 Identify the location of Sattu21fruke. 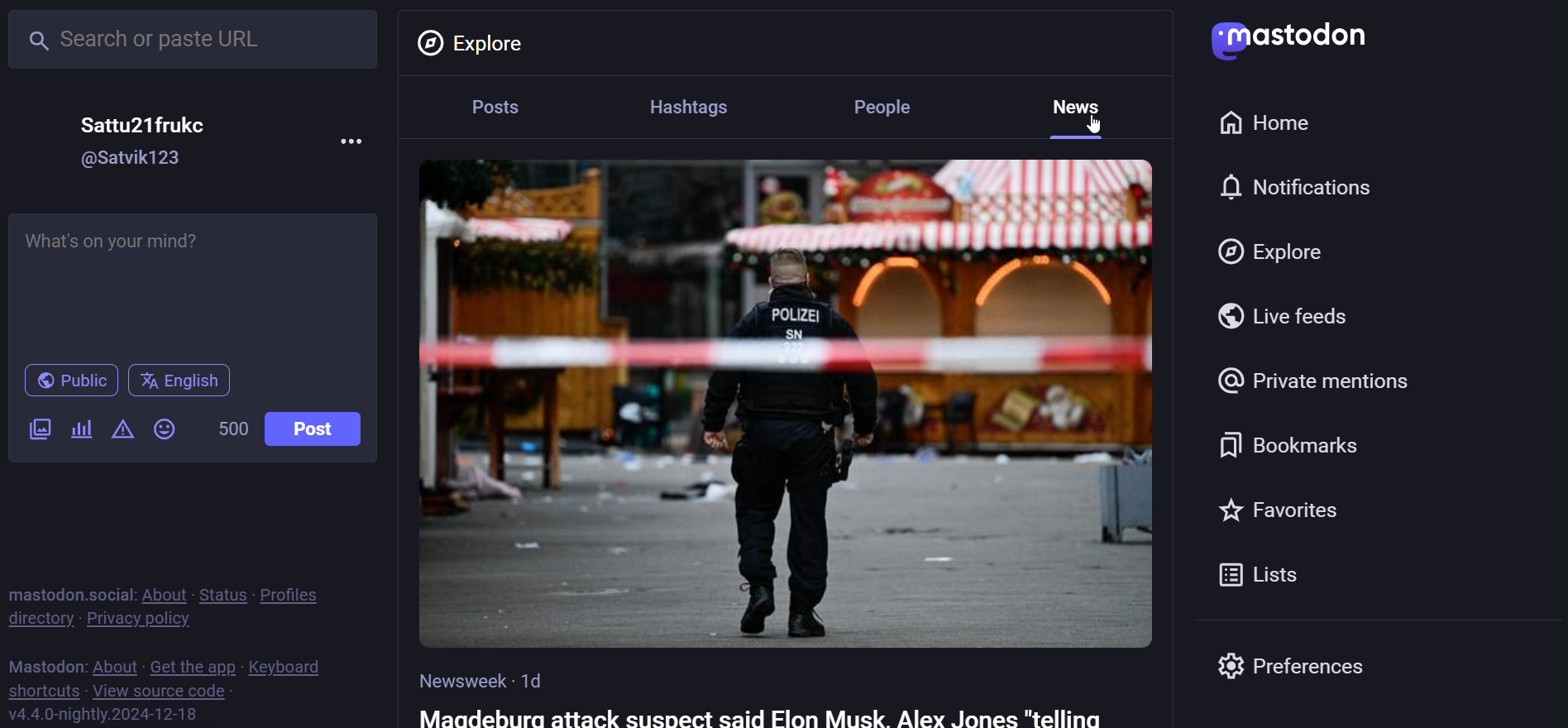
(145, 117).